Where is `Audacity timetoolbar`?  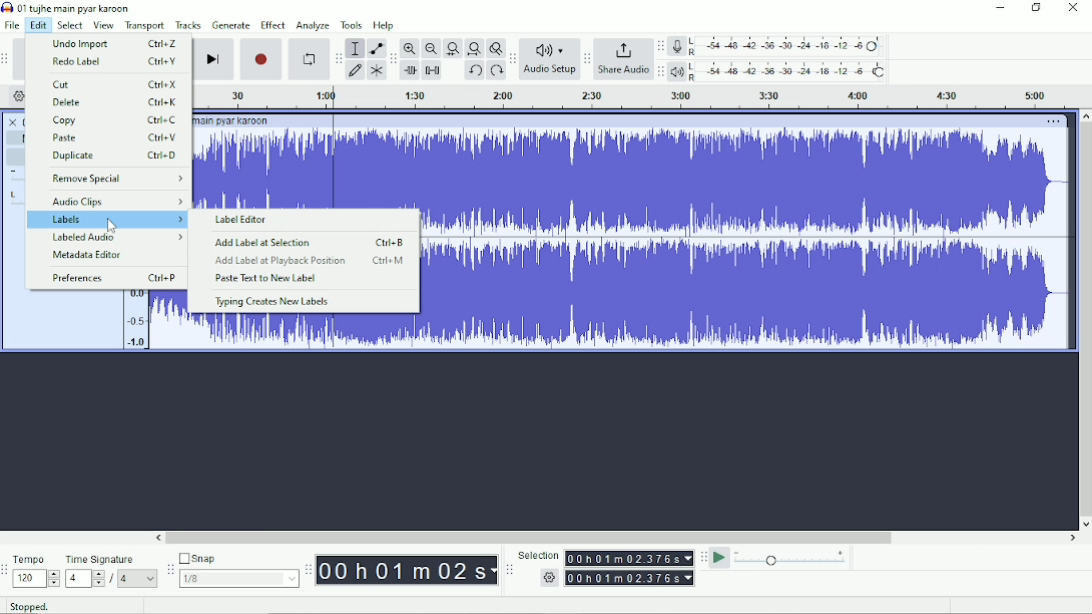 Audacity timetoolbar is located at coordinates (308, 571).